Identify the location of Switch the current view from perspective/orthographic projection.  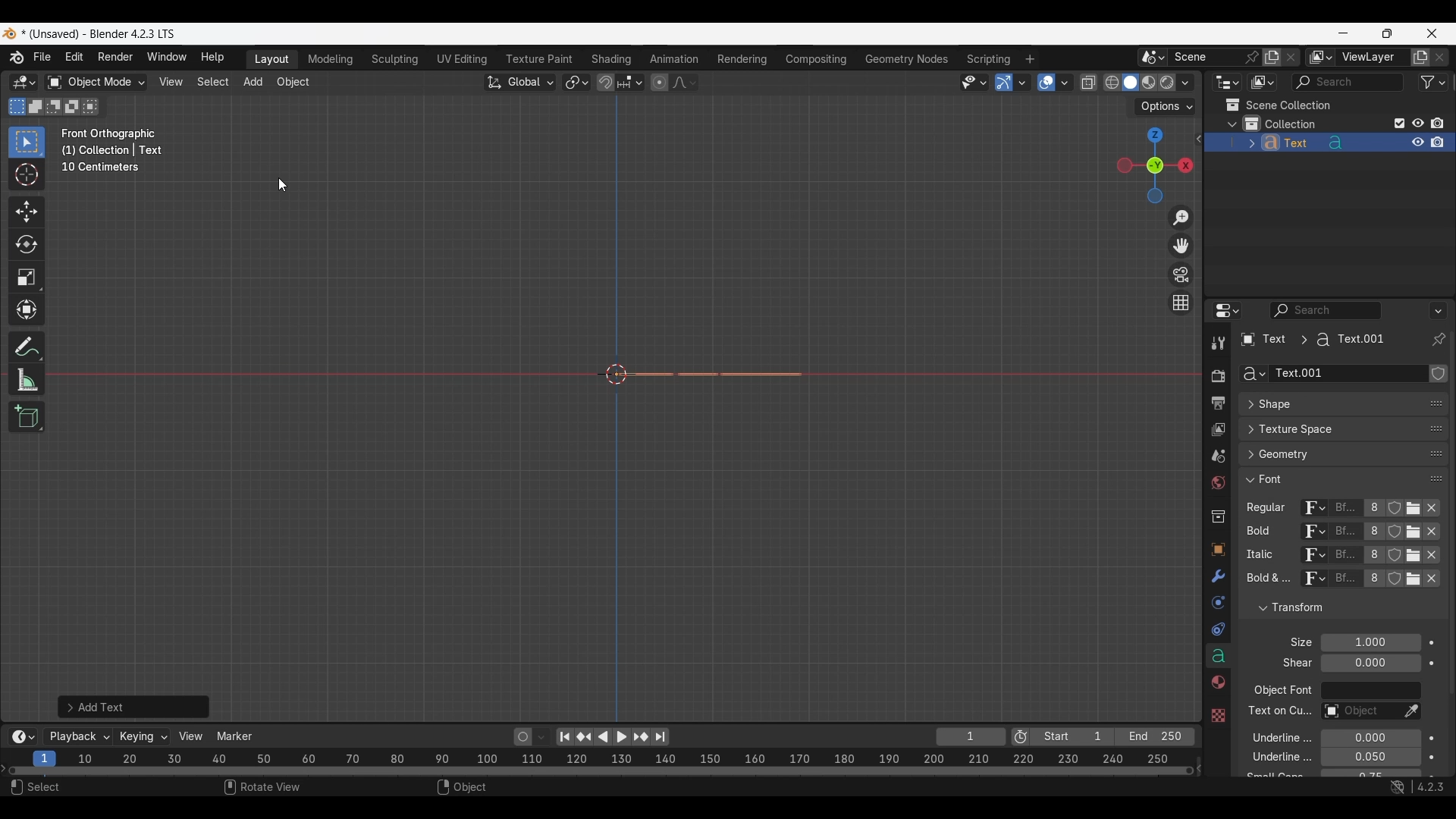
(1180, 302).